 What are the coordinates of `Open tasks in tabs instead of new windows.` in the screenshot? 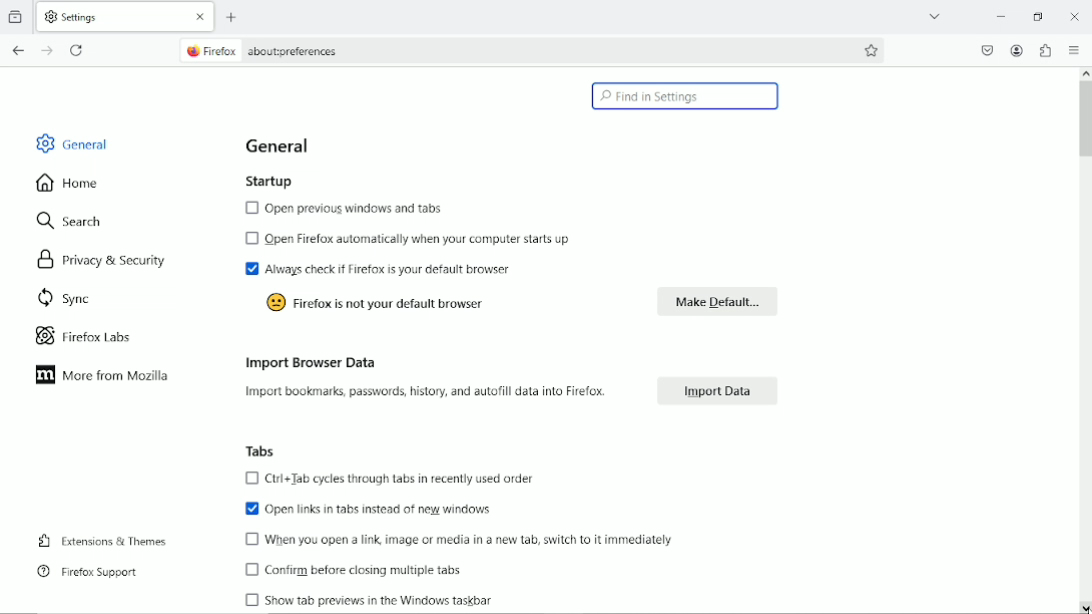 It's located at (376, 510).